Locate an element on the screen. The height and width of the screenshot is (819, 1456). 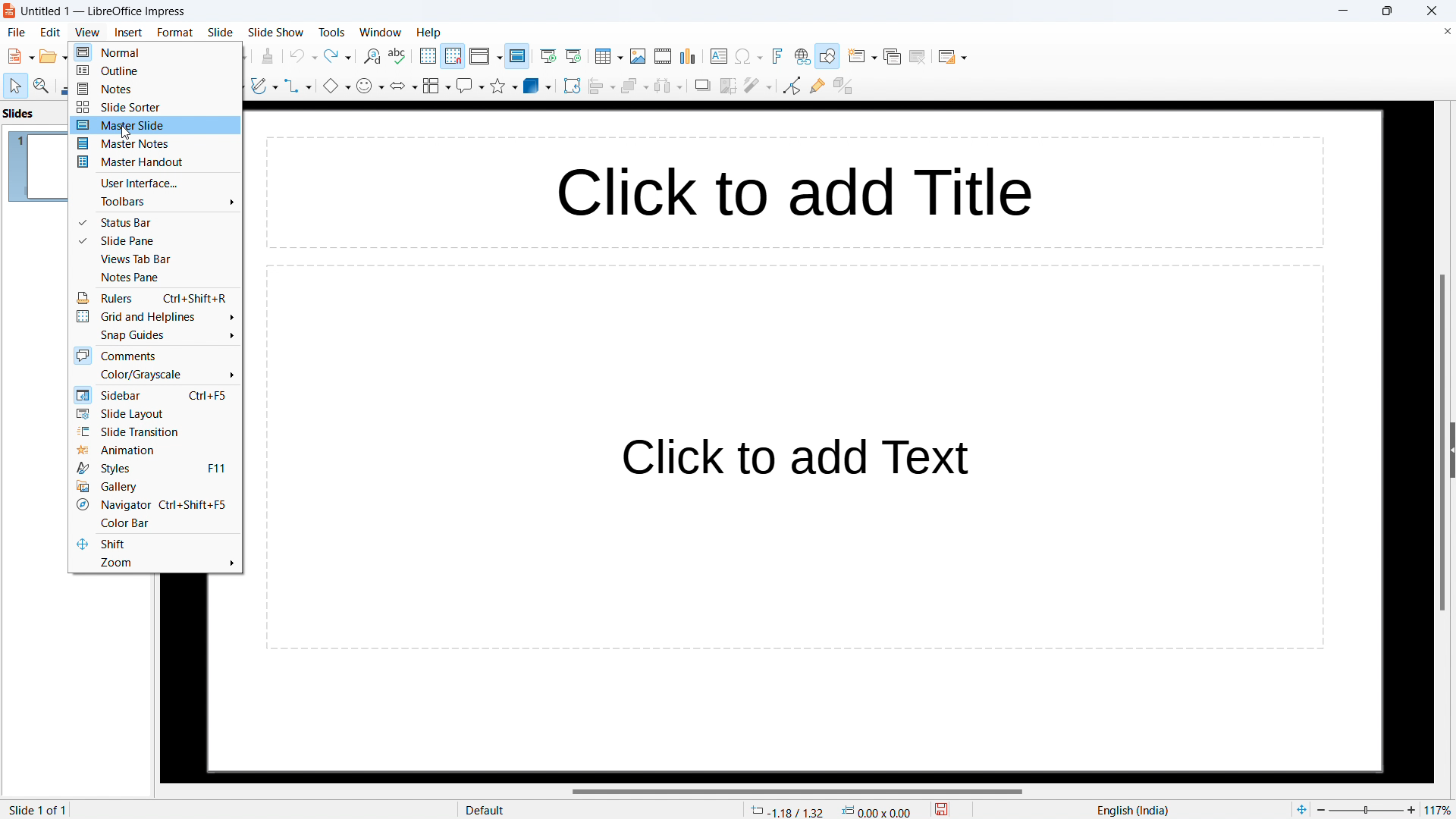
status bar is located at coordinates (155, 222).